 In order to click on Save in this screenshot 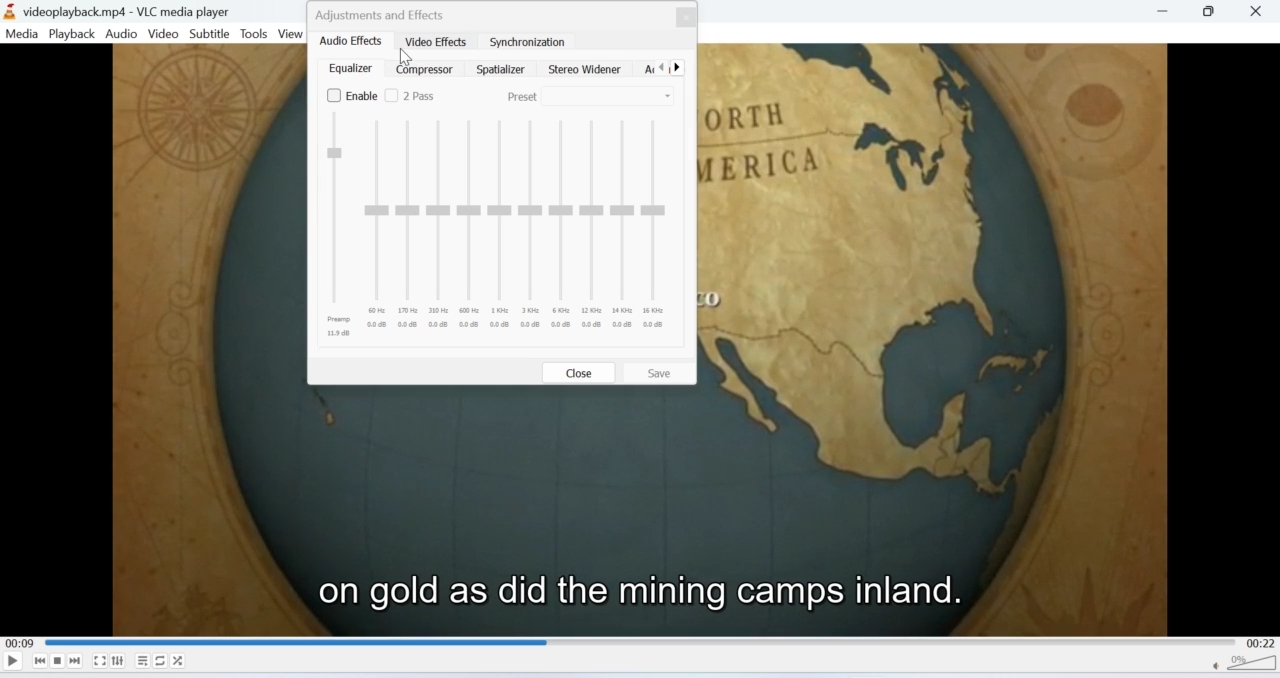, I will do `click(662, 373)`.